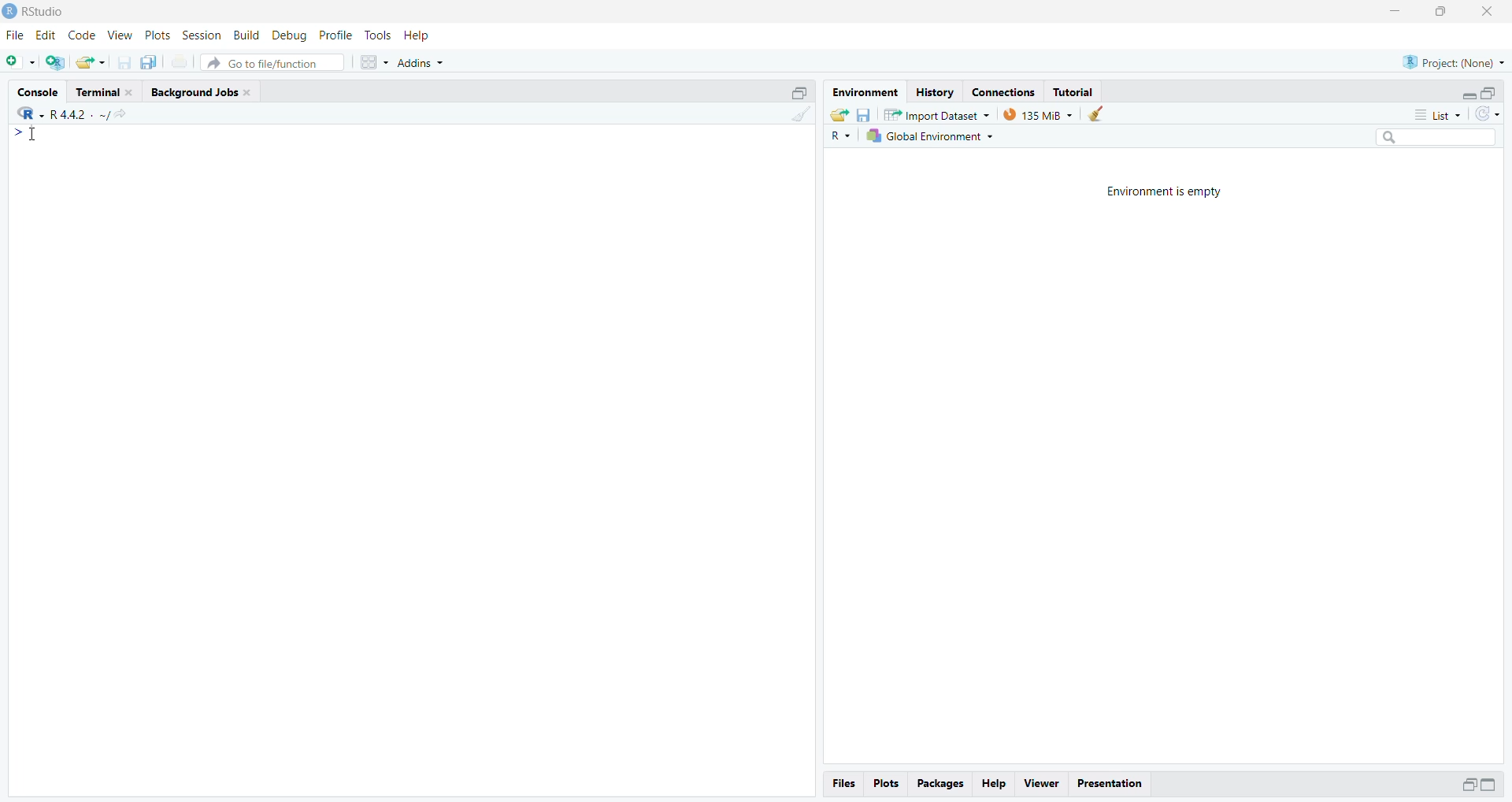 The image size is (1512, 802). What do you see at coordinates (847, 783) in the screenshot?
I see `Files` at bounding box center [847, 783].